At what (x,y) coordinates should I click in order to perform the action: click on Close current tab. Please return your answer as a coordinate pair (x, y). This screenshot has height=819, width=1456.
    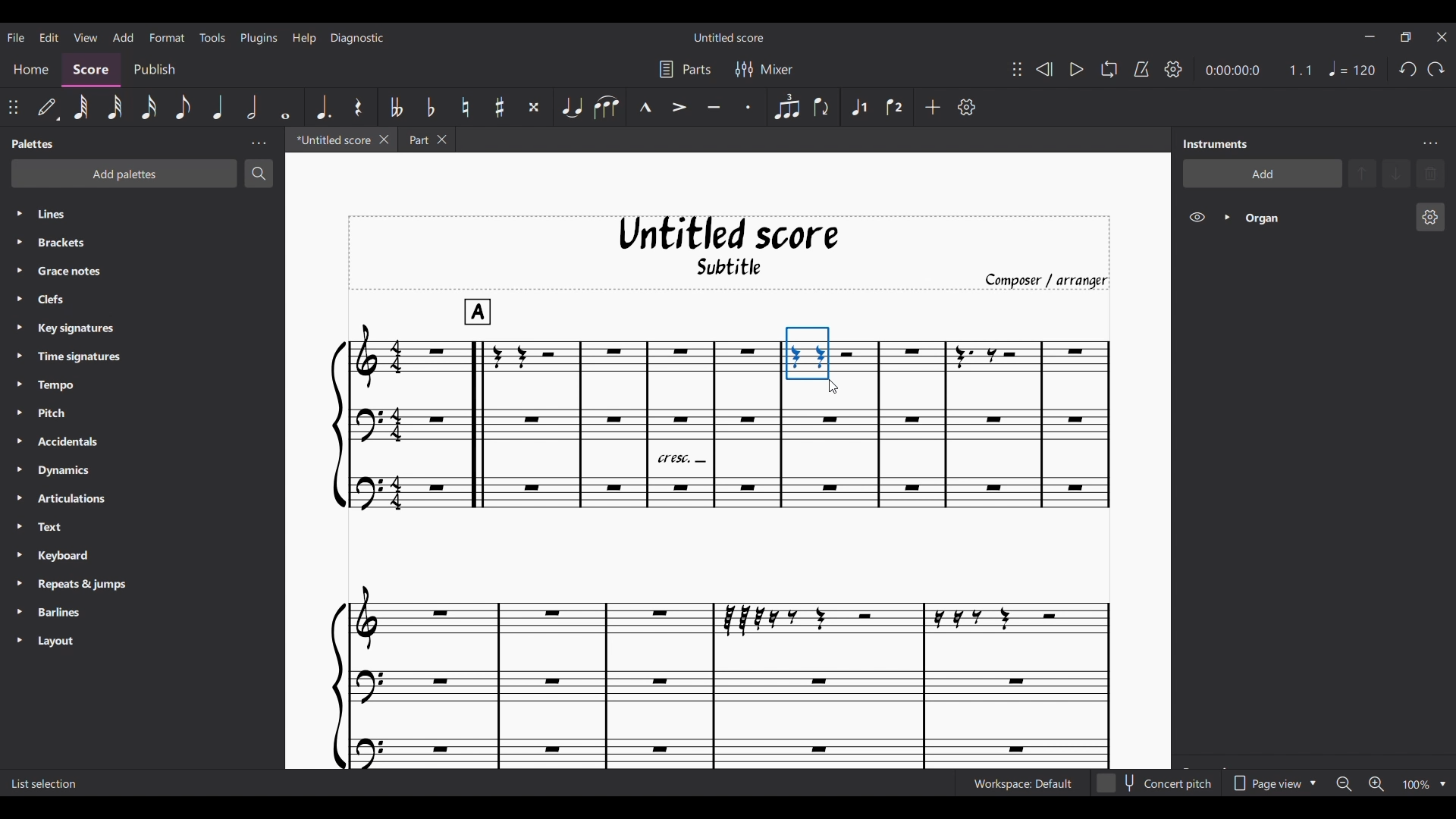
    Looking at the image, I should click on (384, 139).